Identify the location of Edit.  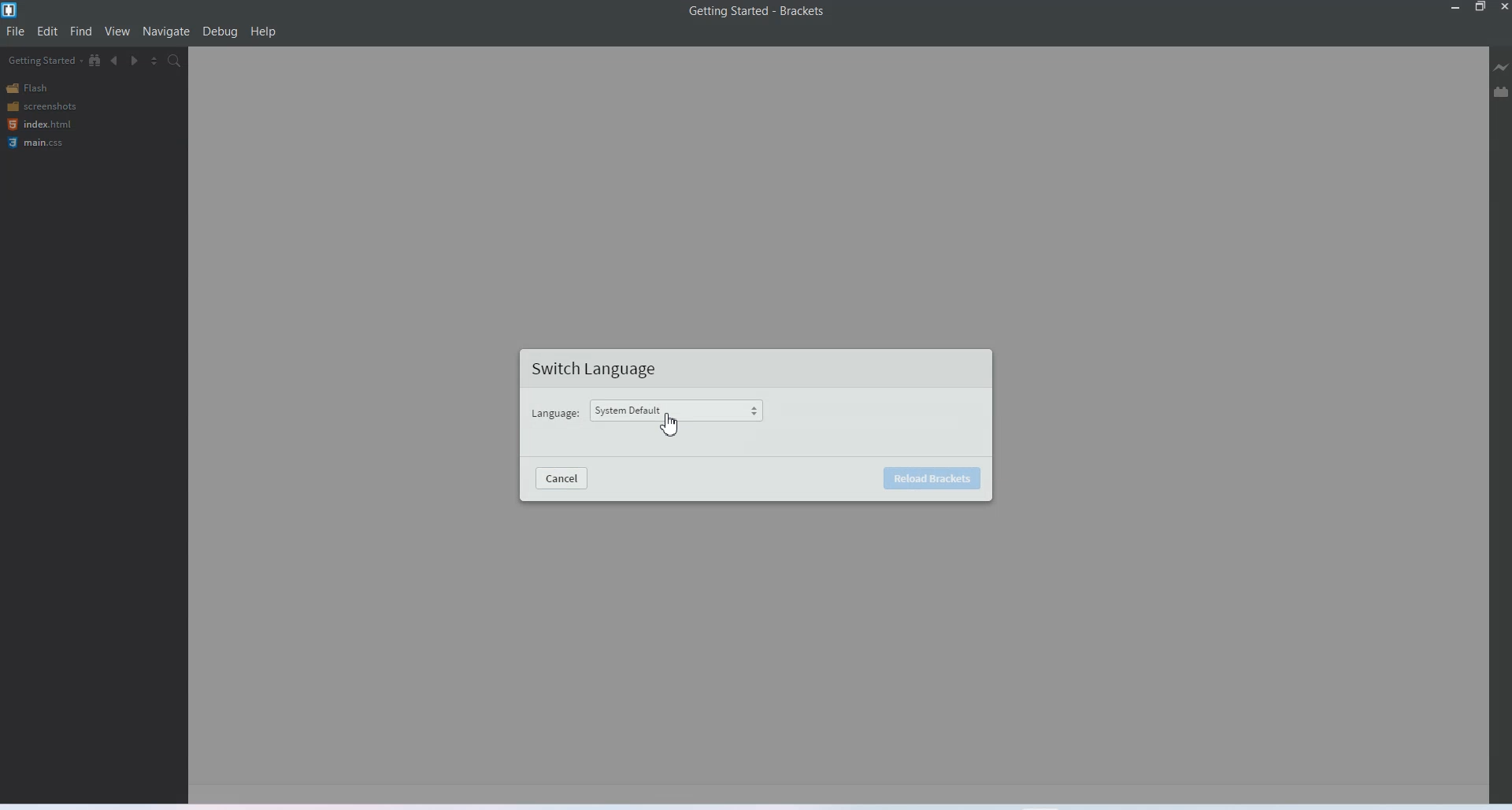
(47, 32).